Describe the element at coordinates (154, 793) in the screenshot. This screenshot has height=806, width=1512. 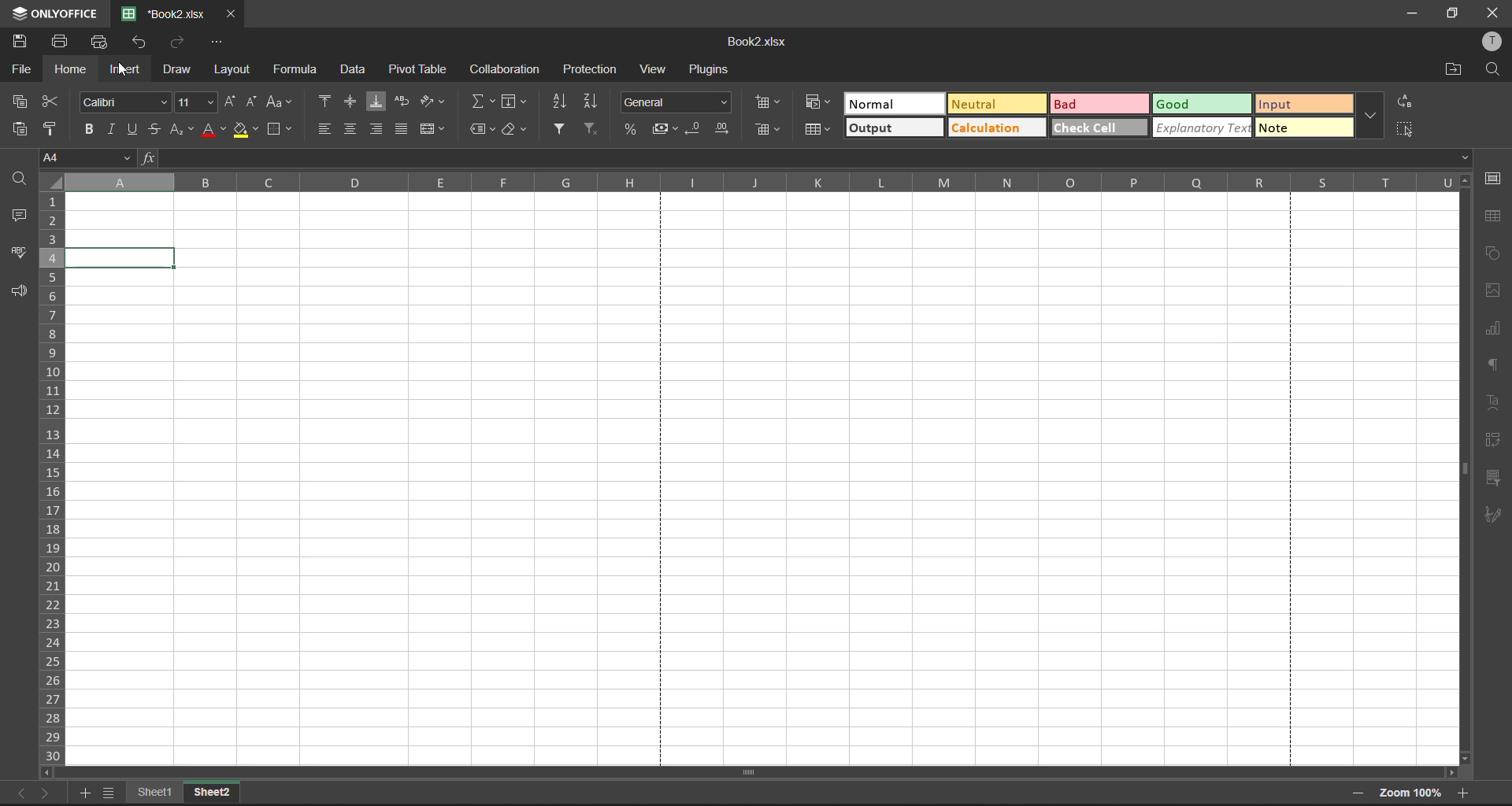
I see `Sheet1` at that location.